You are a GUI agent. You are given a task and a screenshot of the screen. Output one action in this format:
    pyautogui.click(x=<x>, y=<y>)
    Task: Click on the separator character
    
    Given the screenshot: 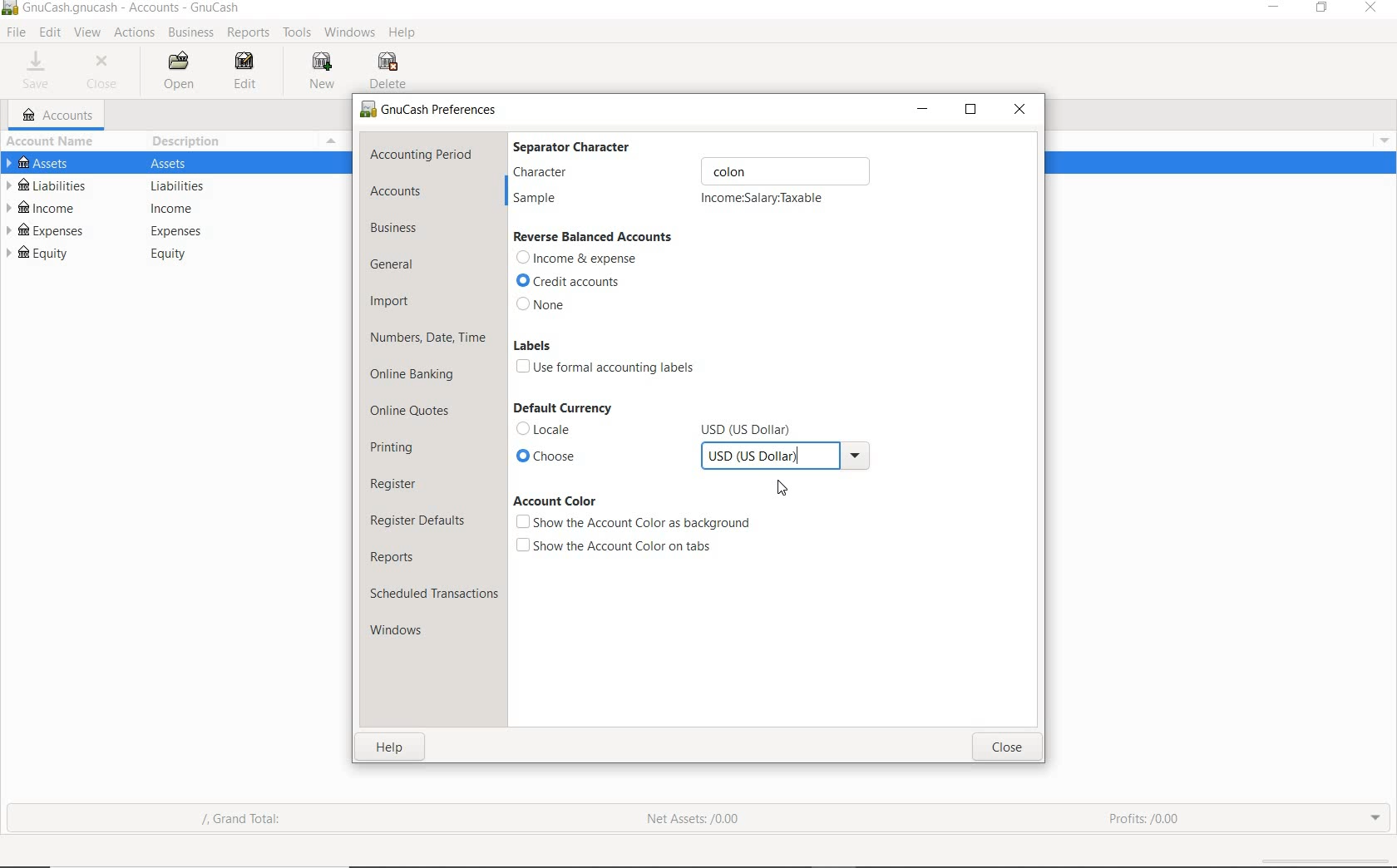 What is the action you would take?
    pyautogui.click(x=583, y=145)
    